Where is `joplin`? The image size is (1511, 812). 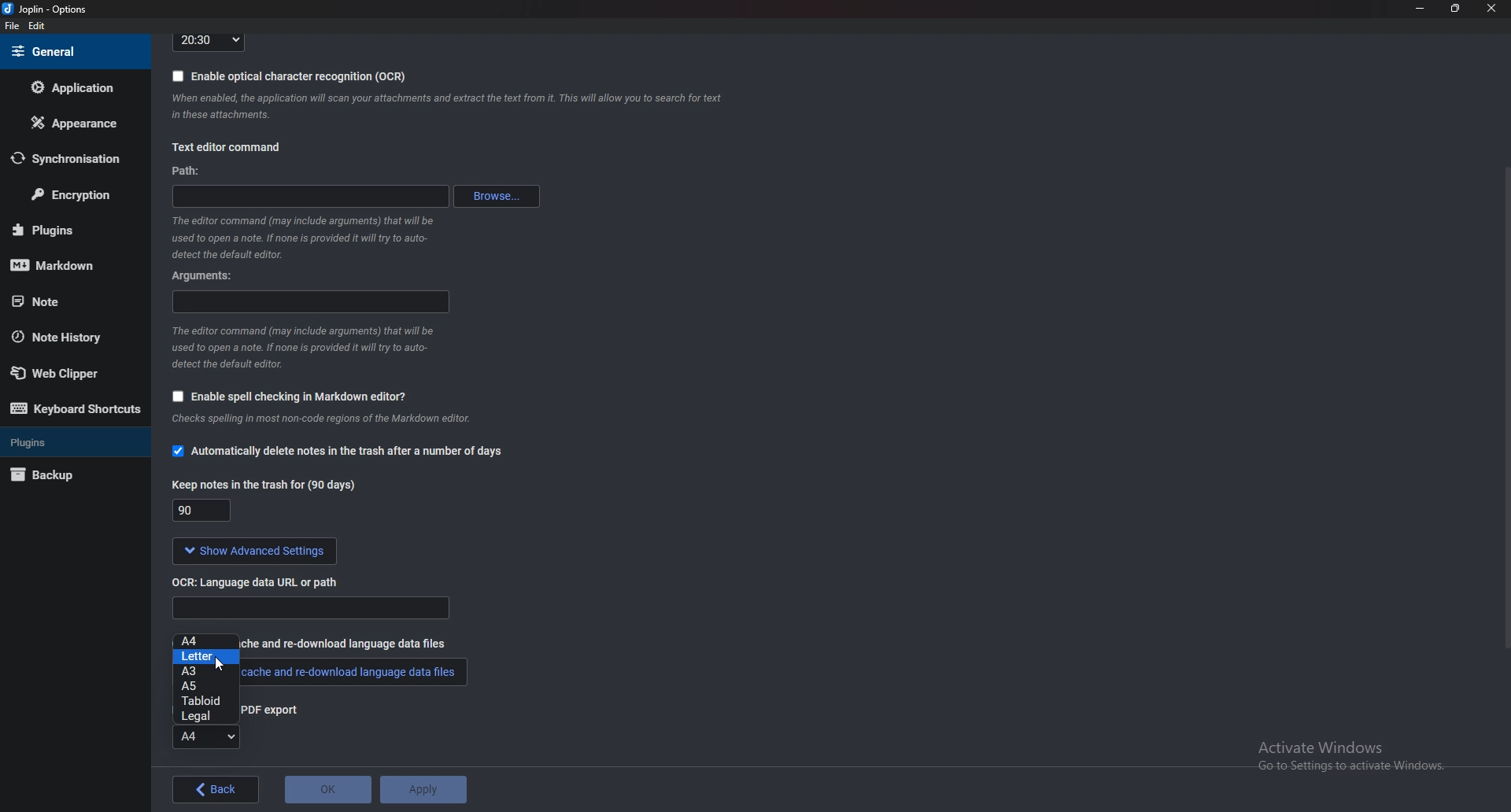 joplin is located at coordinates (48, 10).